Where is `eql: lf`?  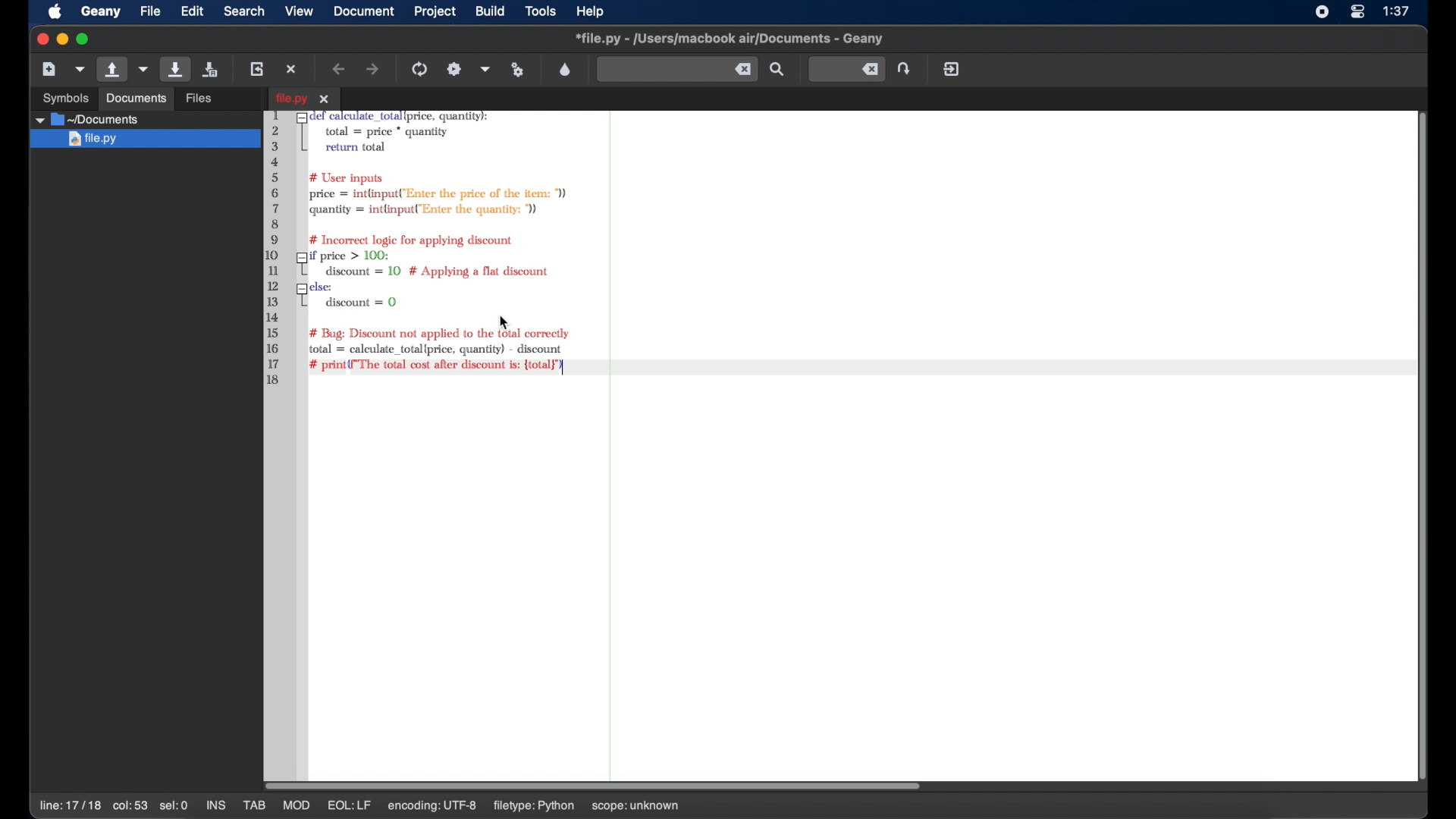
eql: lf is located at coordinates (350, 805).